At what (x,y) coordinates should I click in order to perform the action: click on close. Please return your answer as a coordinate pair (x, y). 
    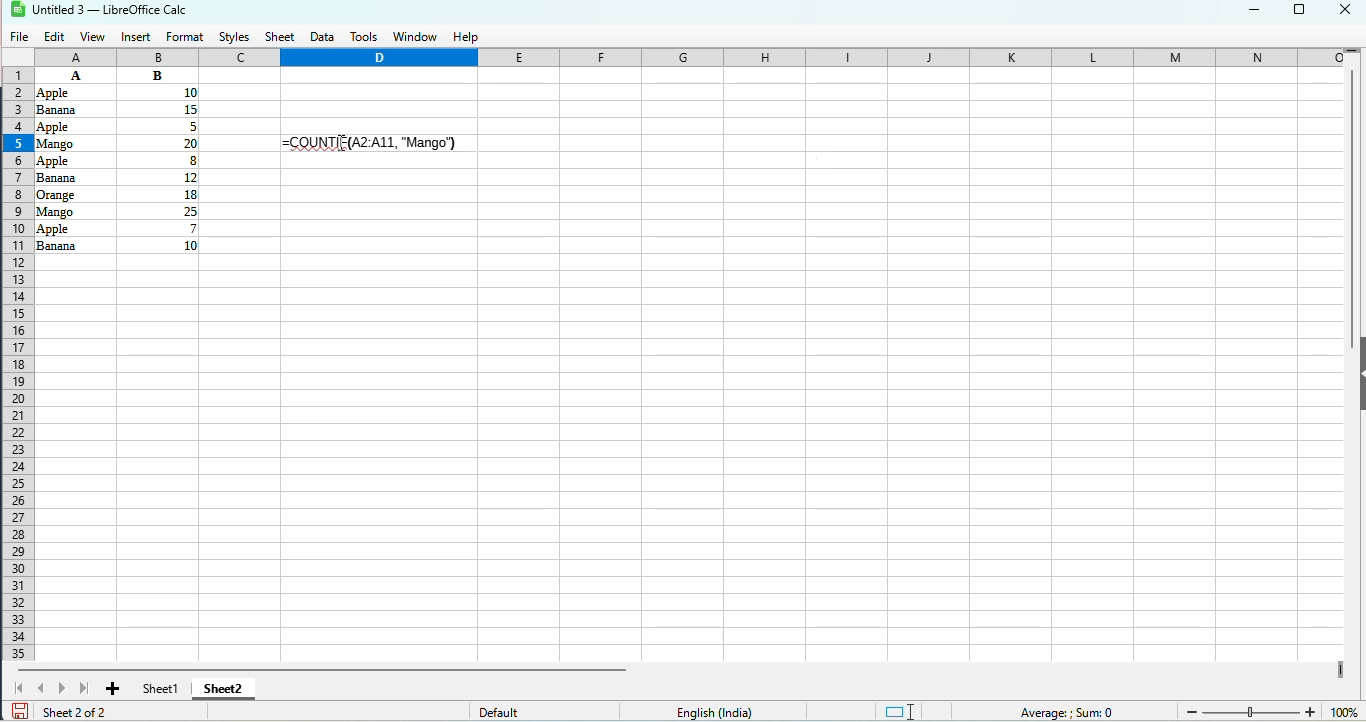
    Looking at the image, I should click on (1345, 8).